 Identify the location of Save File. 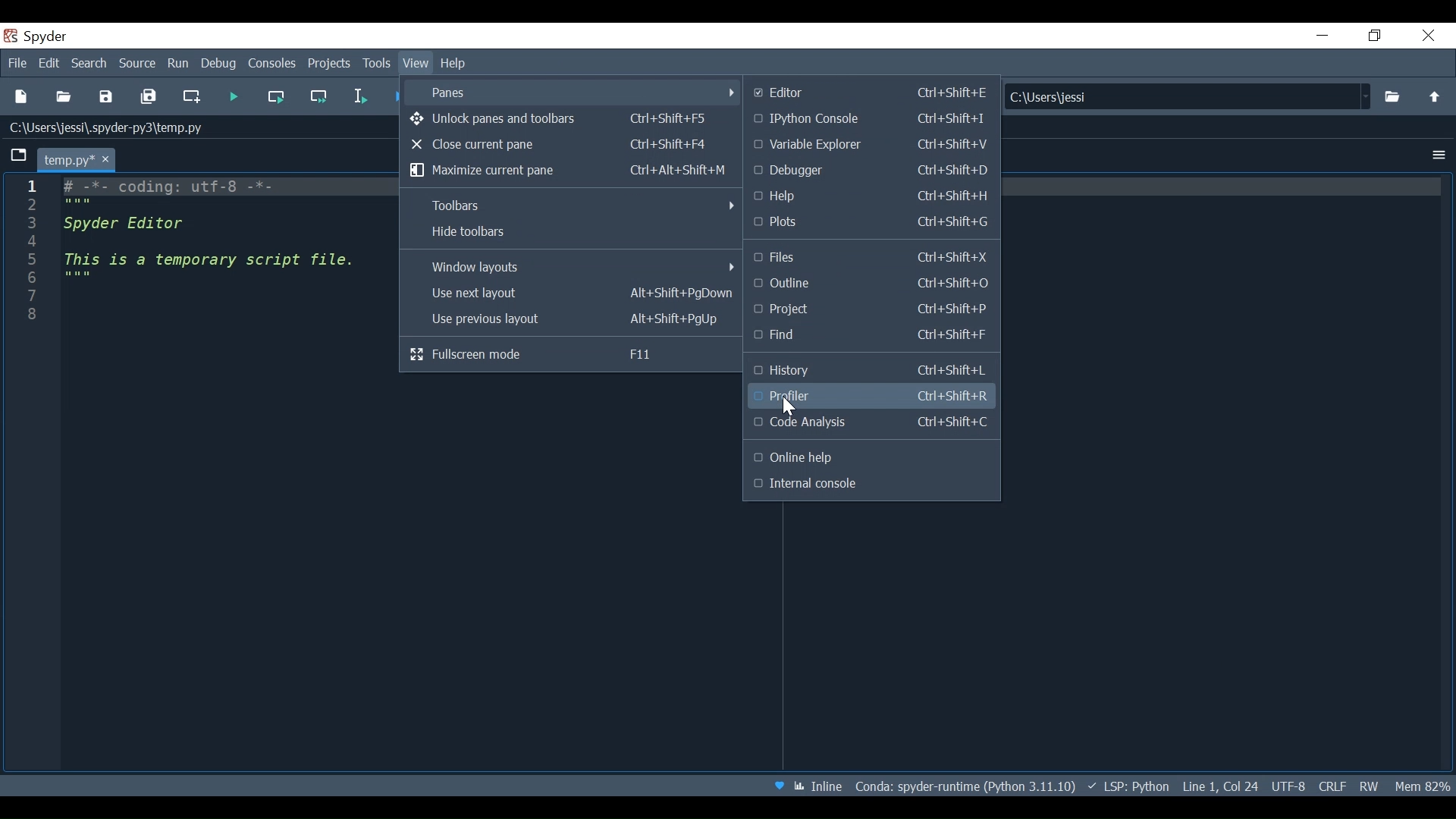
(106, 98).